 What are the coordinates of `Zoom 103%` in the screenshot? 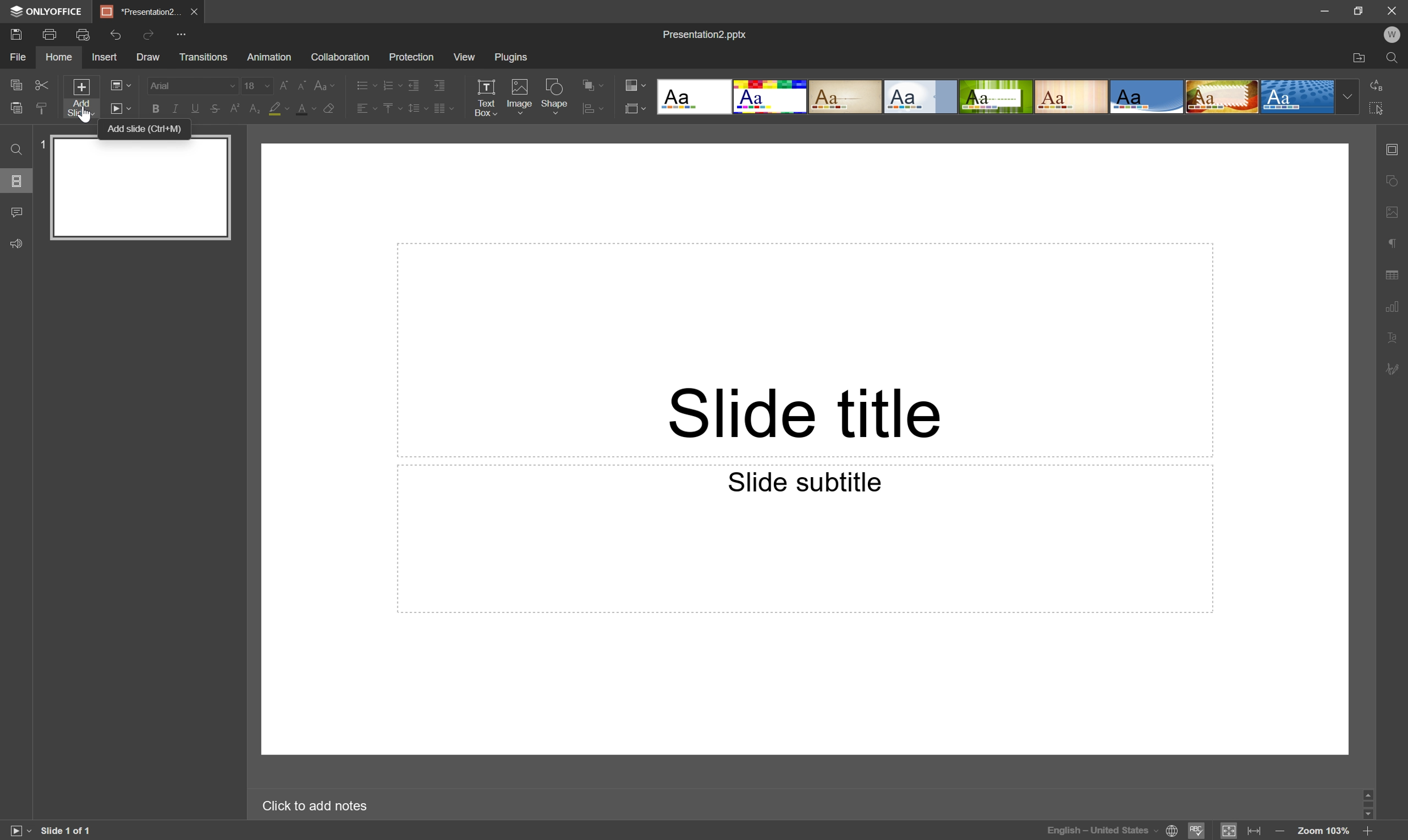 It's located at (1324, 832).